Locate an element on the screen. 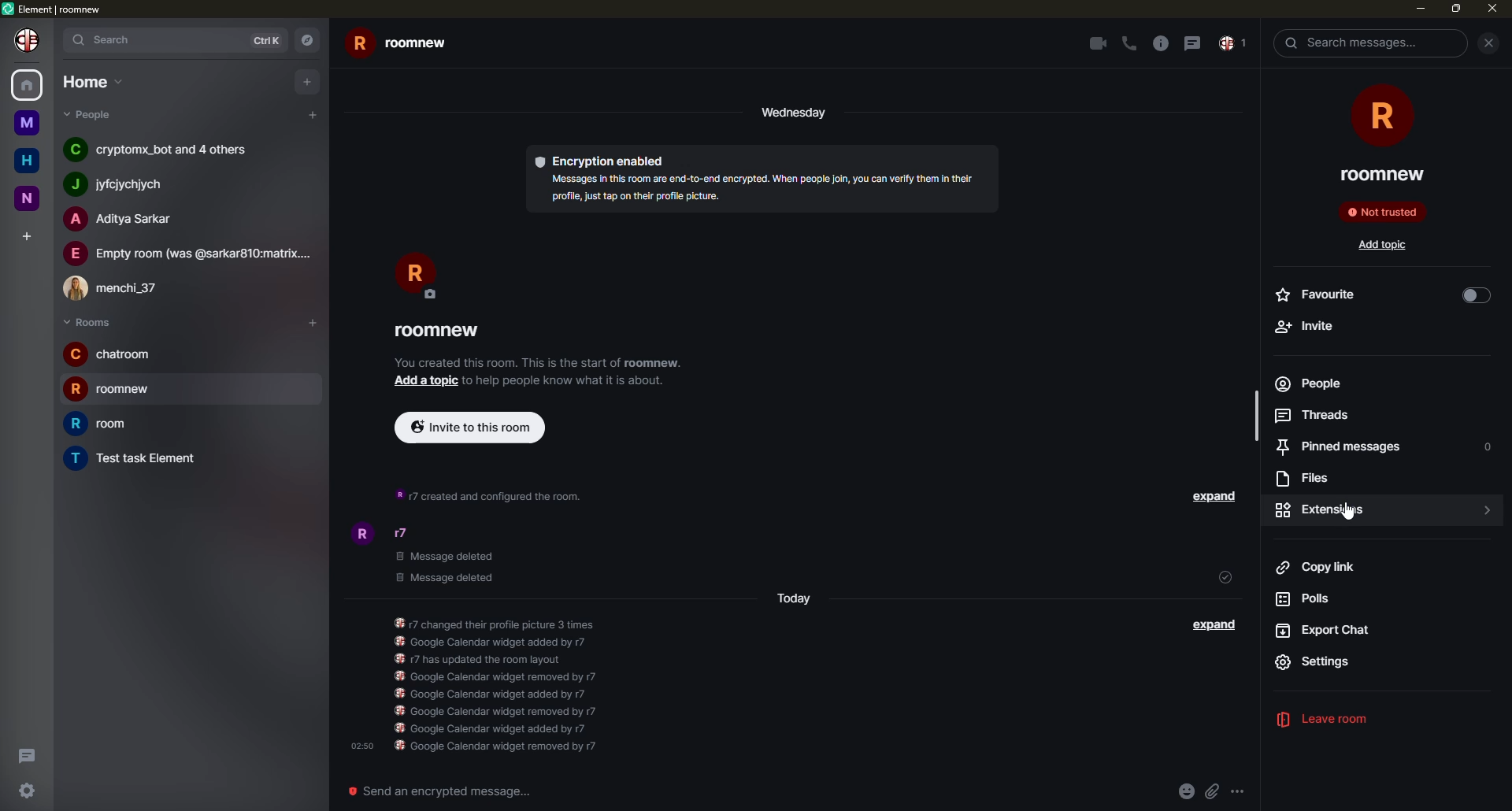  profile is located at coordinates (417, 274).